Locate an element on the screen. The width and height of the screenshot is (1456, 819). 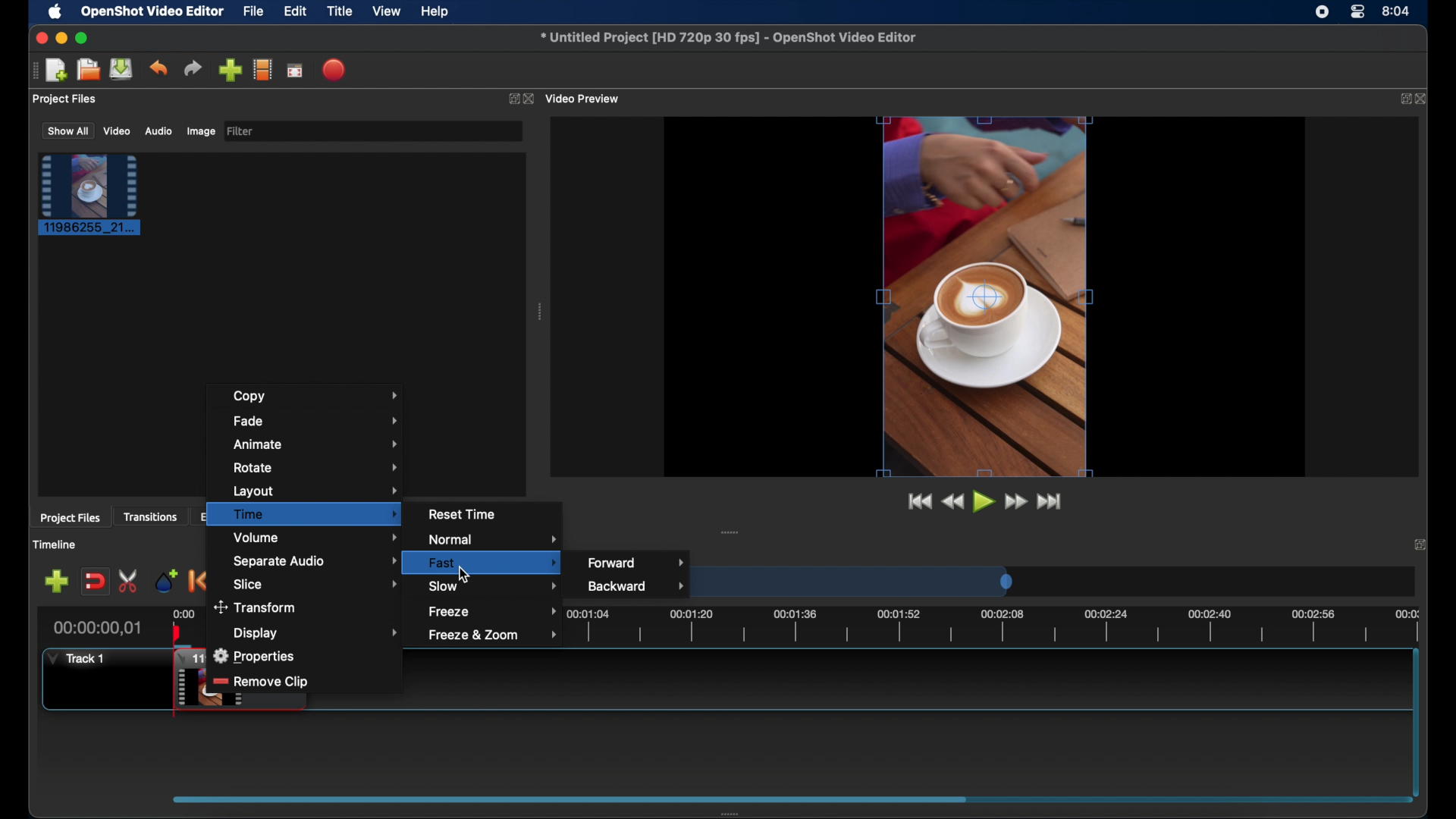
close is located at coordinates (1424, 99).